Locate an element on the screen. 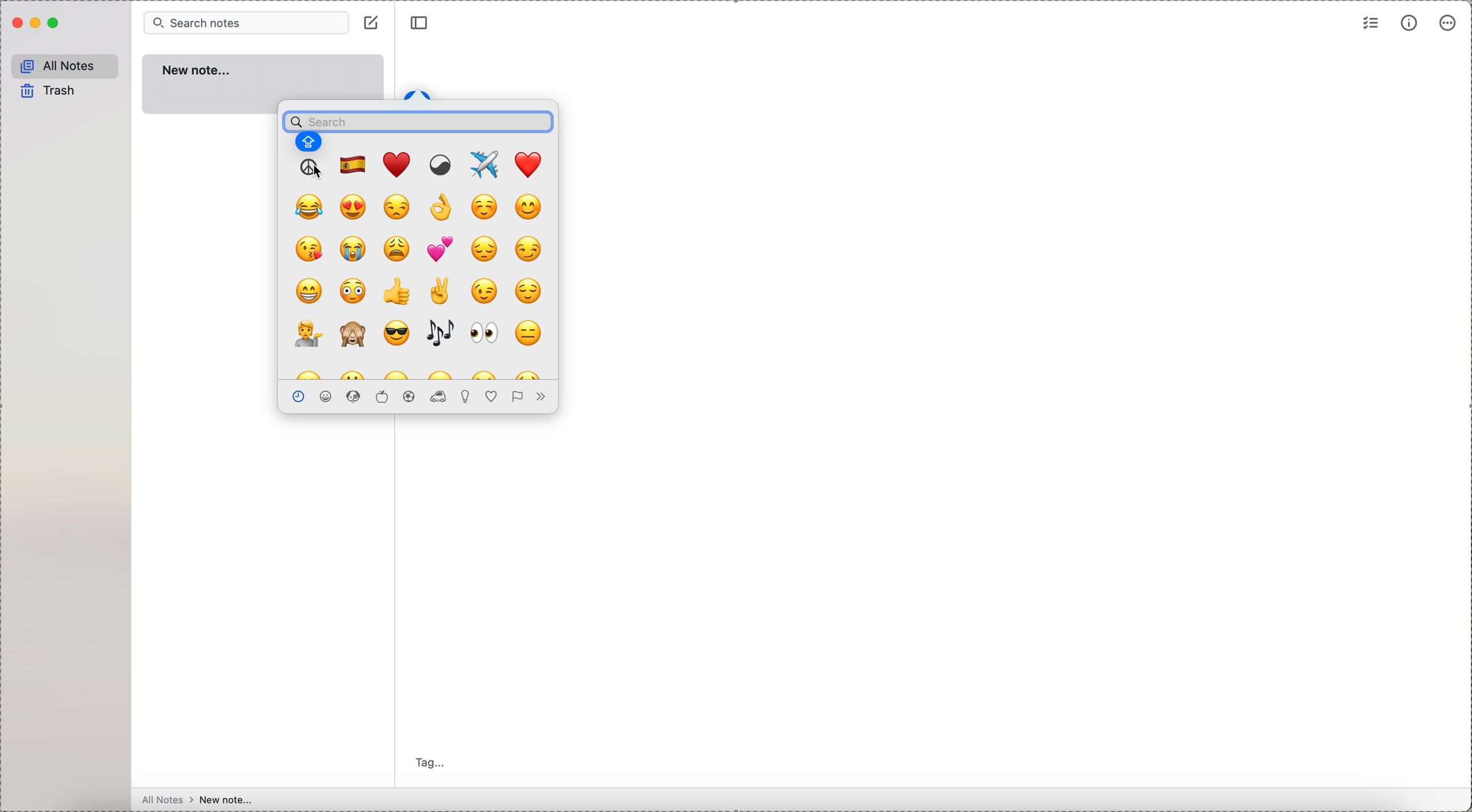 The image size is (1472, 812). emoji is located at coordinates (306, 374).